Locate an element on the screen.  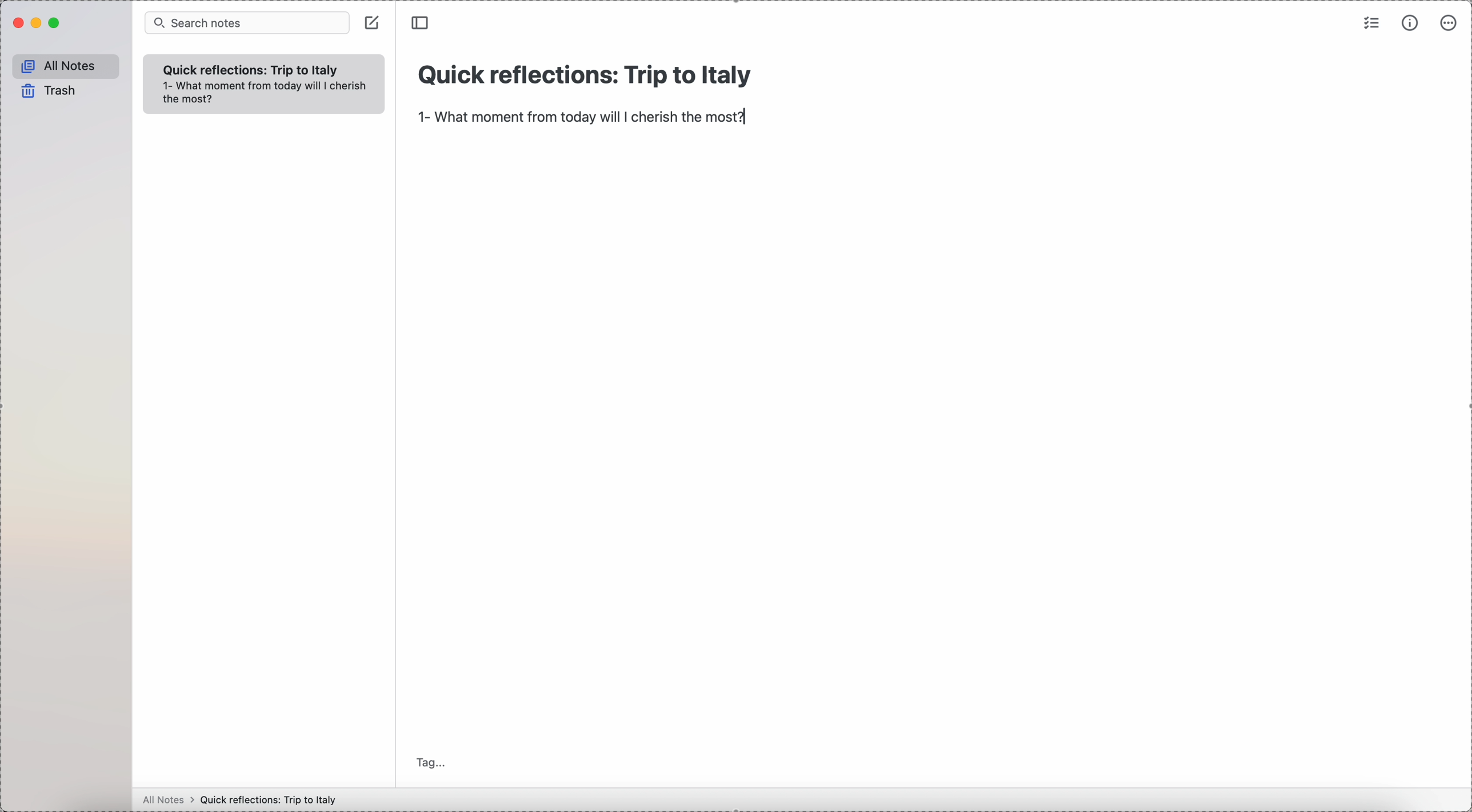
search bar is located at coordinates (247, 22).